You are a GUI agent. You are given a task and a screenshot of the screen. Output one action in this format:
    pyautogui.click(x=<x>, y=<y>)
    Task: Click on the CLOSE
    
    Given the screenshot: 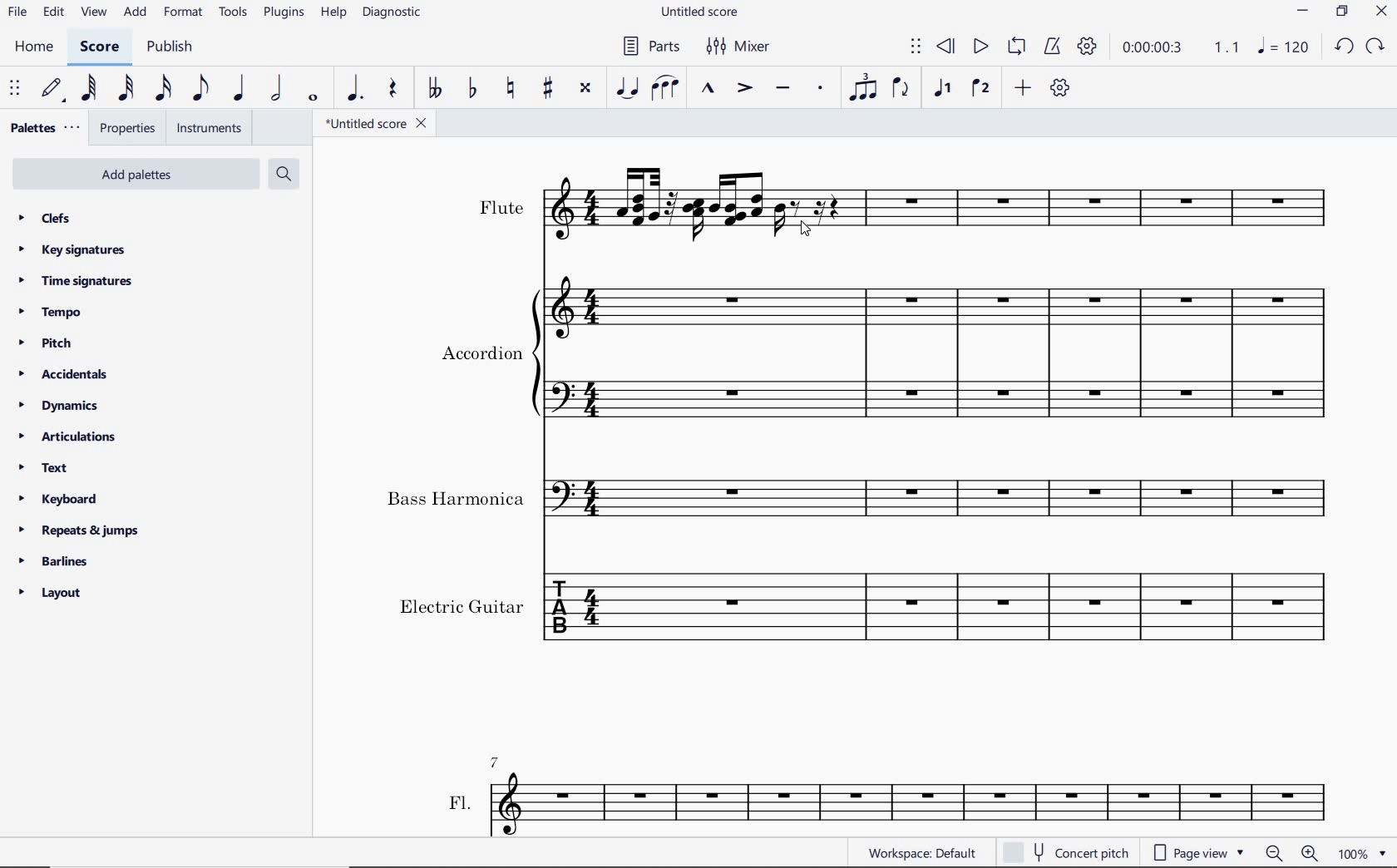 What is the action you would take?
    pyautogui.click(x=1382, y=11)
    